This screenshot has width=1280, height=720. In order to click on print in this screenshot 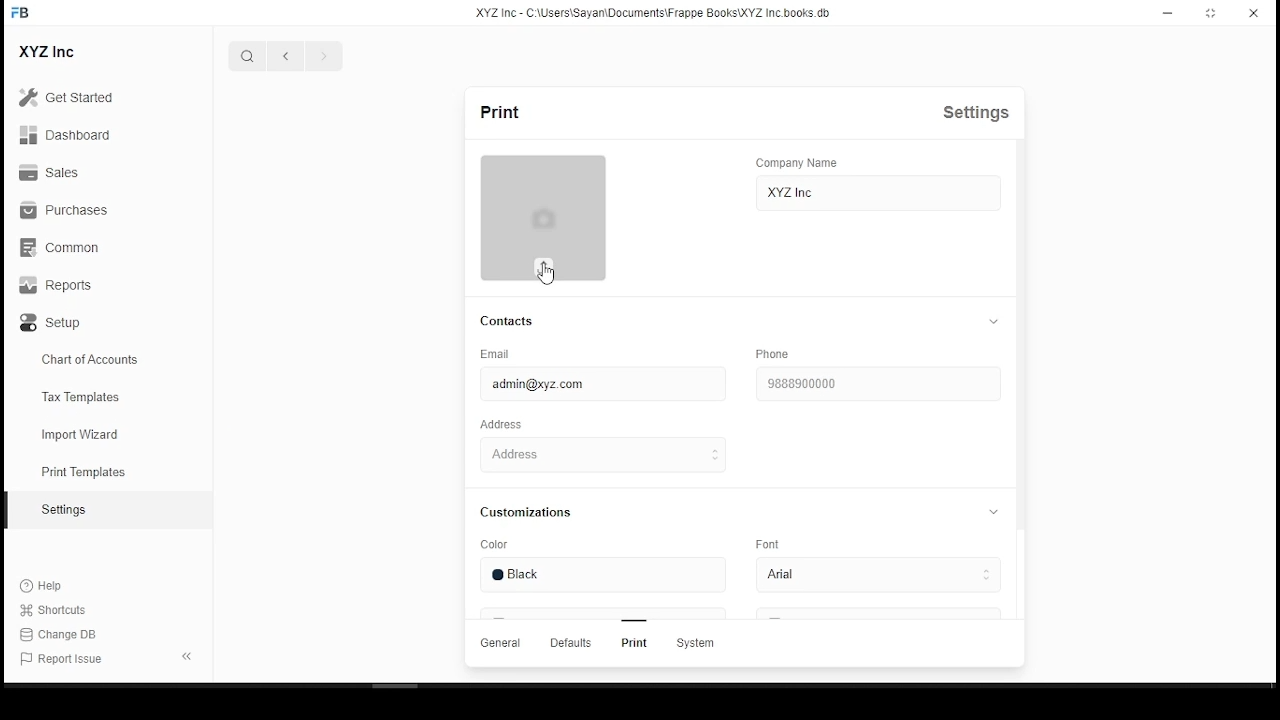, I will do `click(499, 113)`.